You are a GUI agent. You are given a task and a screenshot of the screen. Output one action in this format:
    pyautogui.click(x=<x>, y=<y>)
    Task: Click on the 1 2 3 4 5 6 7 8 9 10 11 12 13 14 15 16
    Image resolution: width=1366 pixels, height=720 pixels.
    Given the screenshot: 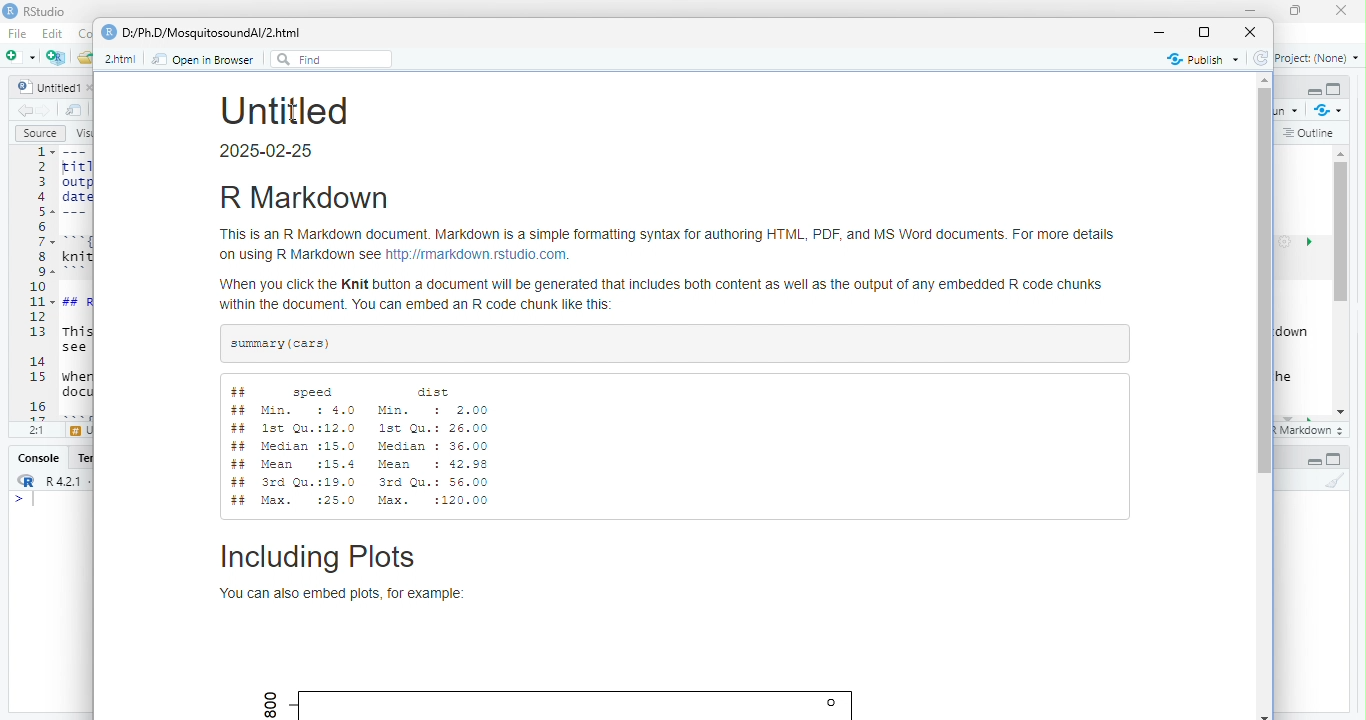 What is the action you would take?
    pyautogui.click(x=39, y=283)
    